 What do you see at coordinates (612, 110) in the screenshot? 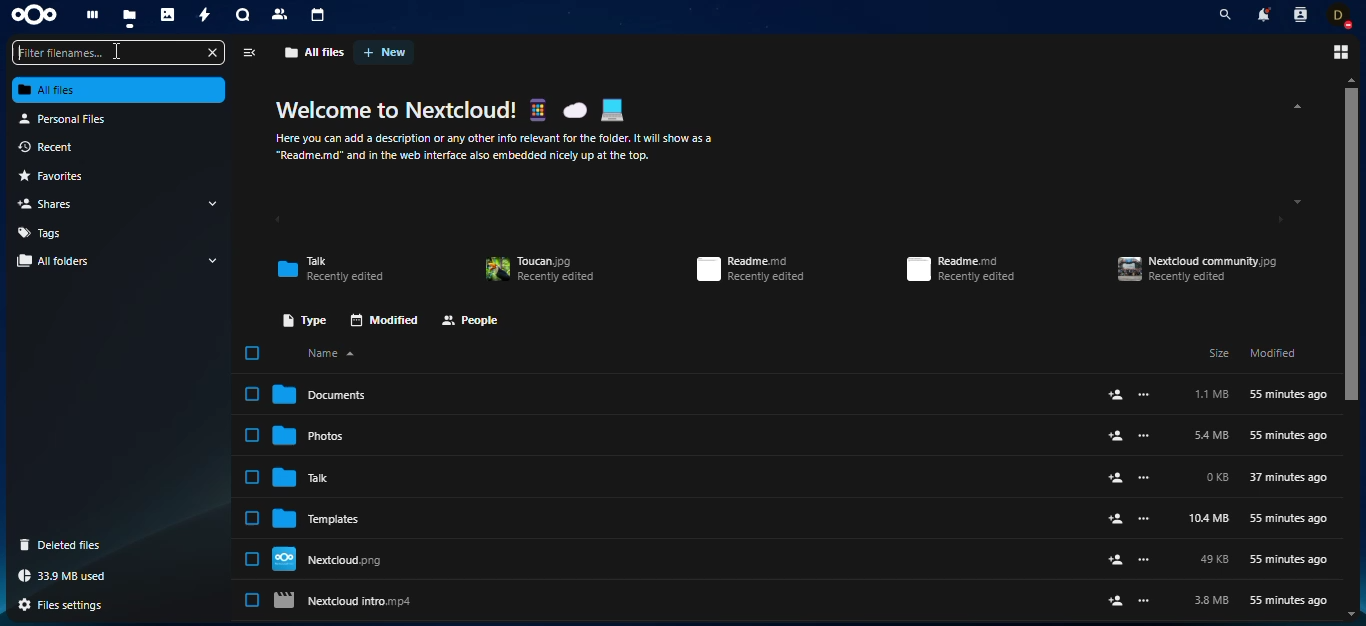
I see `Laptop emoji` at bounding box center [612, 110].